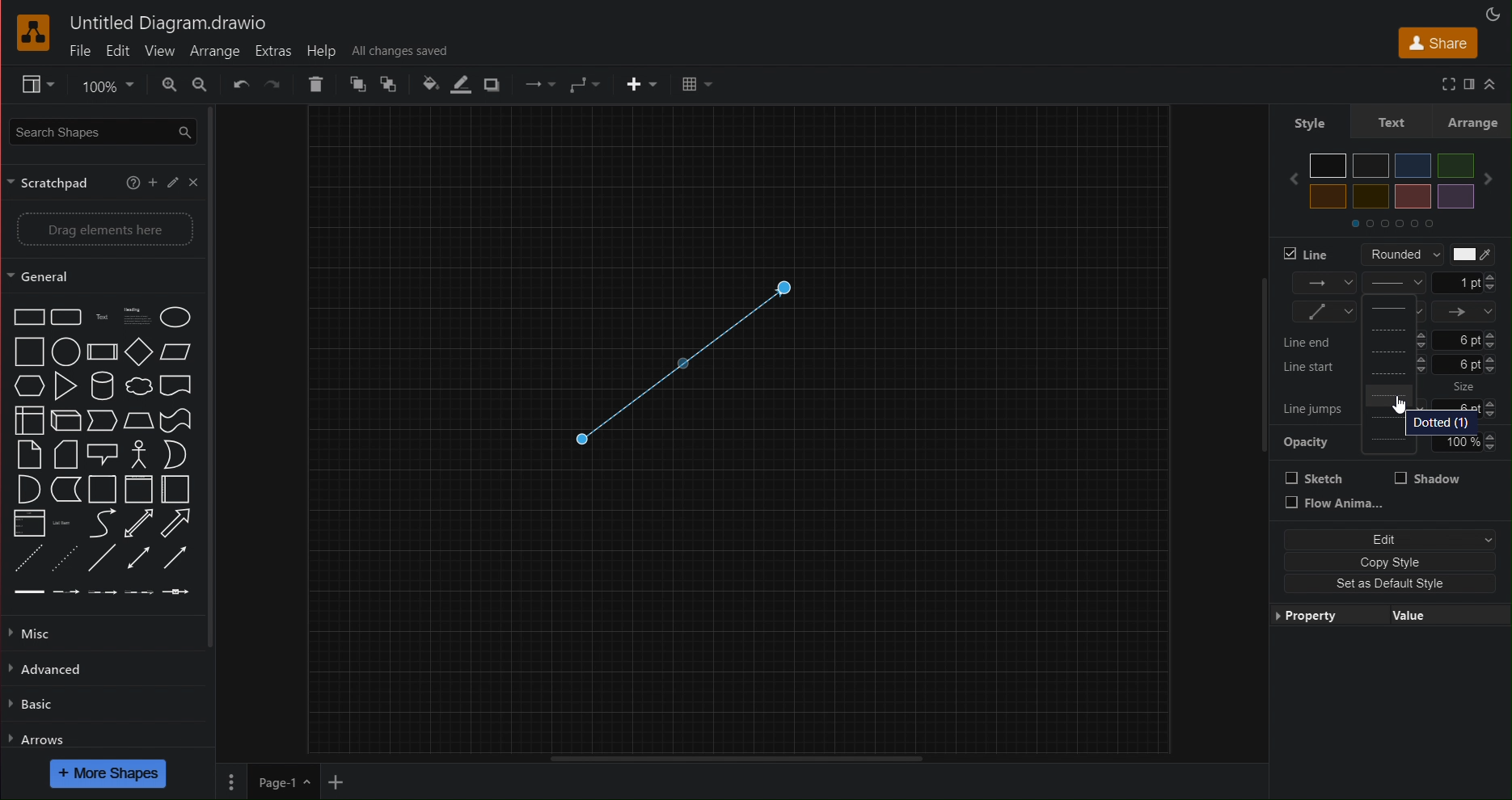 The width and height of the screenshot is (1512, 800). I want to click on File, so click(80, 52).